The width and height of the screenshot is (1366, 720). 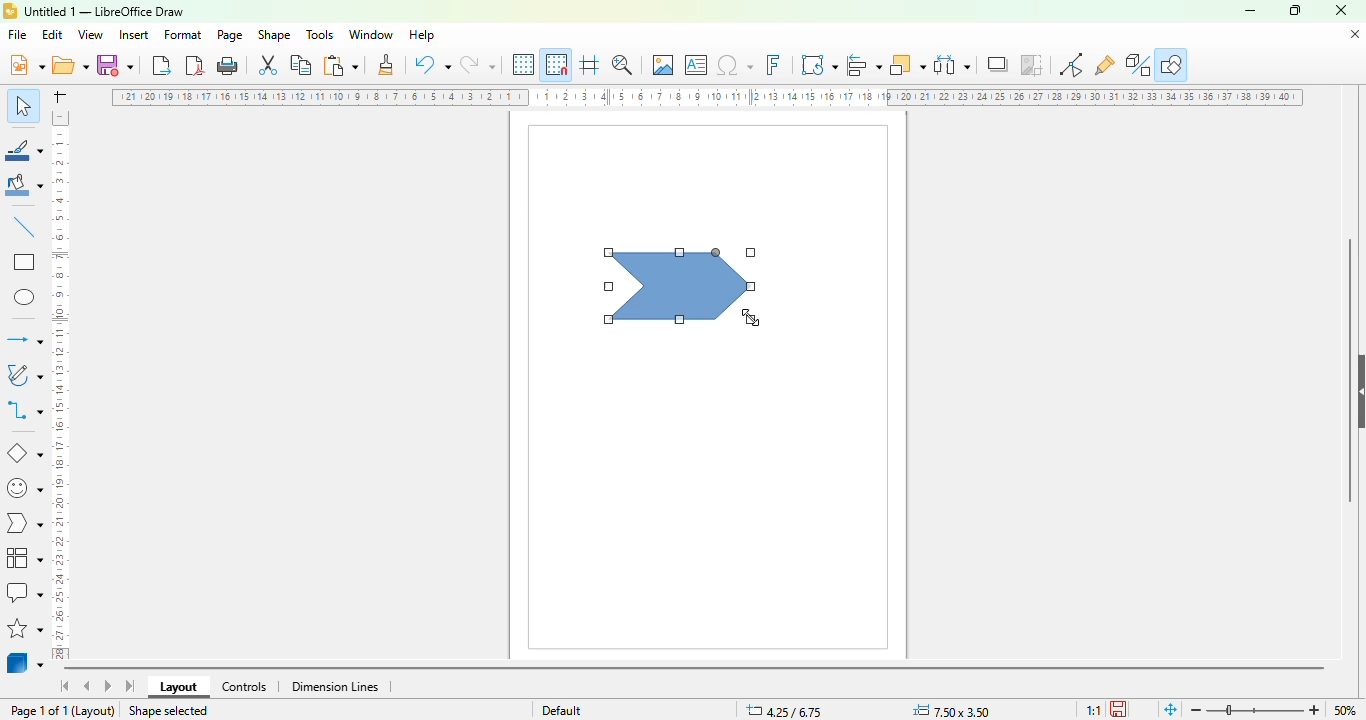 I want to click on export, so click(x=163, y=65).